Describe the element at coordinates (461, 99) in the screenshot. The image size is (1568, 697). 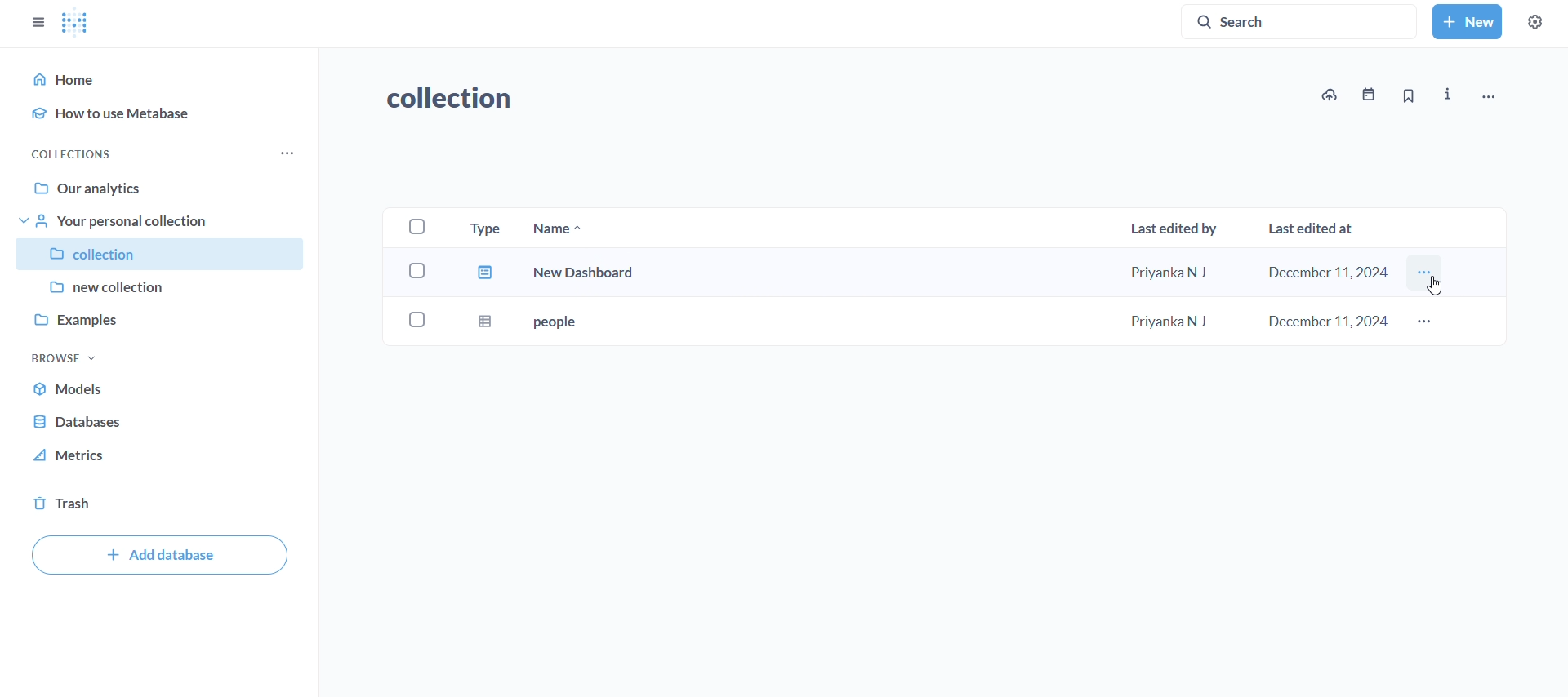
I see `collection` at that location.